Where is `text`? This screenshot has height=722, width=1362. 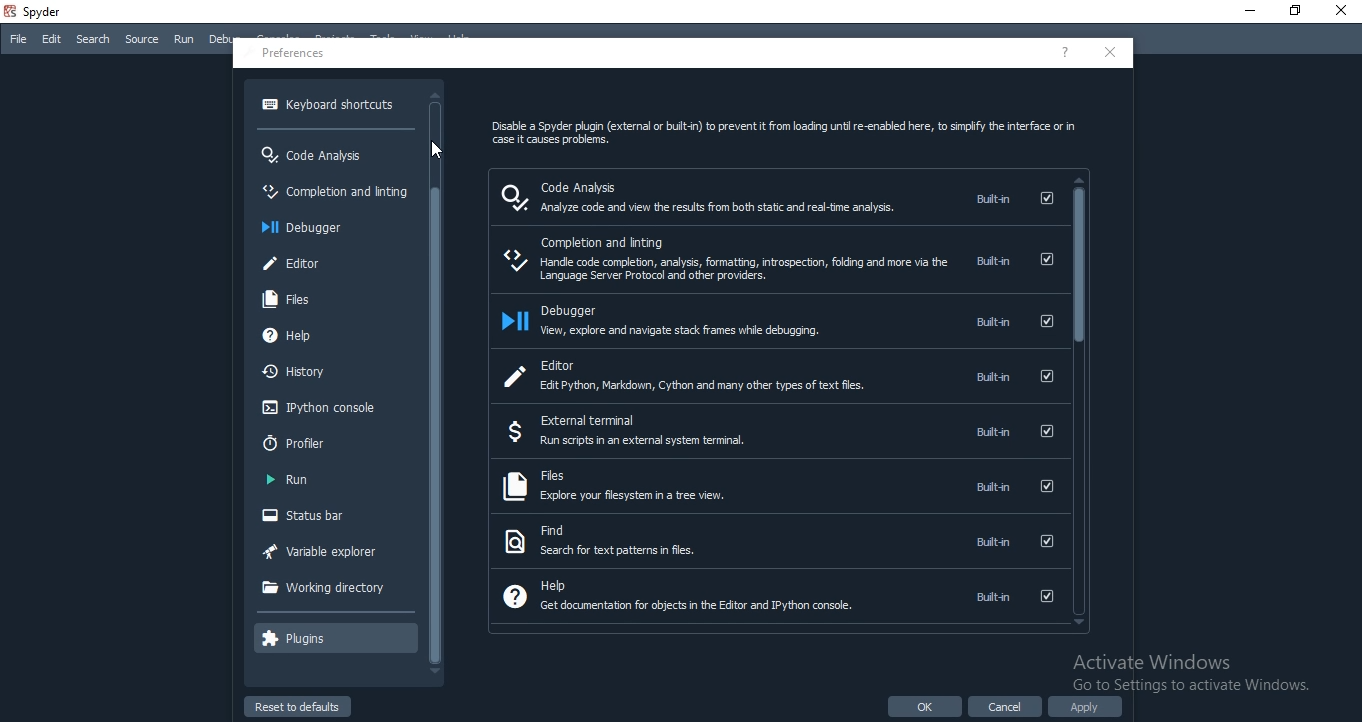
text is located at coordinates (997, 378).